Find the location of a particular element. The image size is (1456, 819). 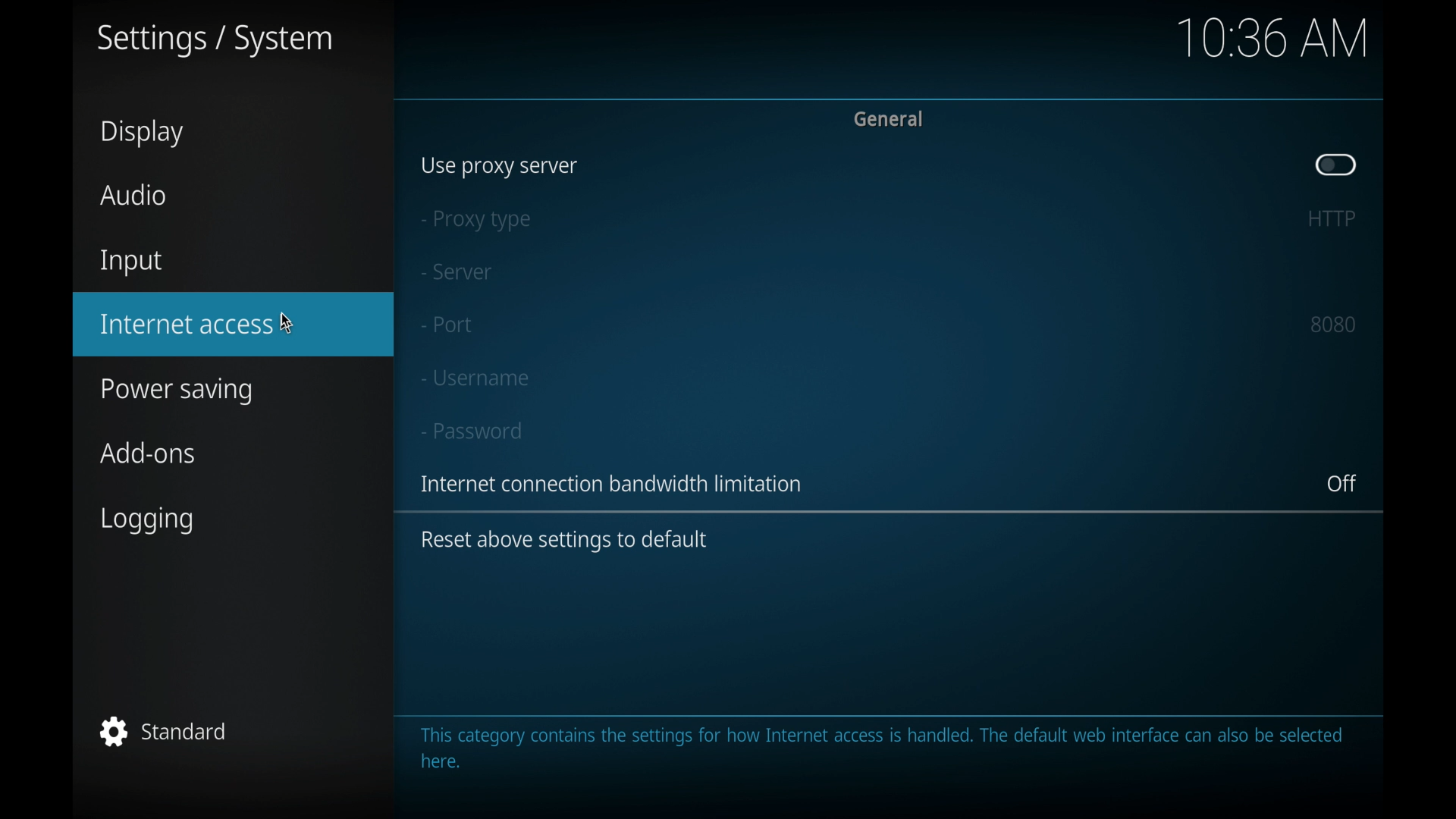

username is located at coordinates (474, 378).